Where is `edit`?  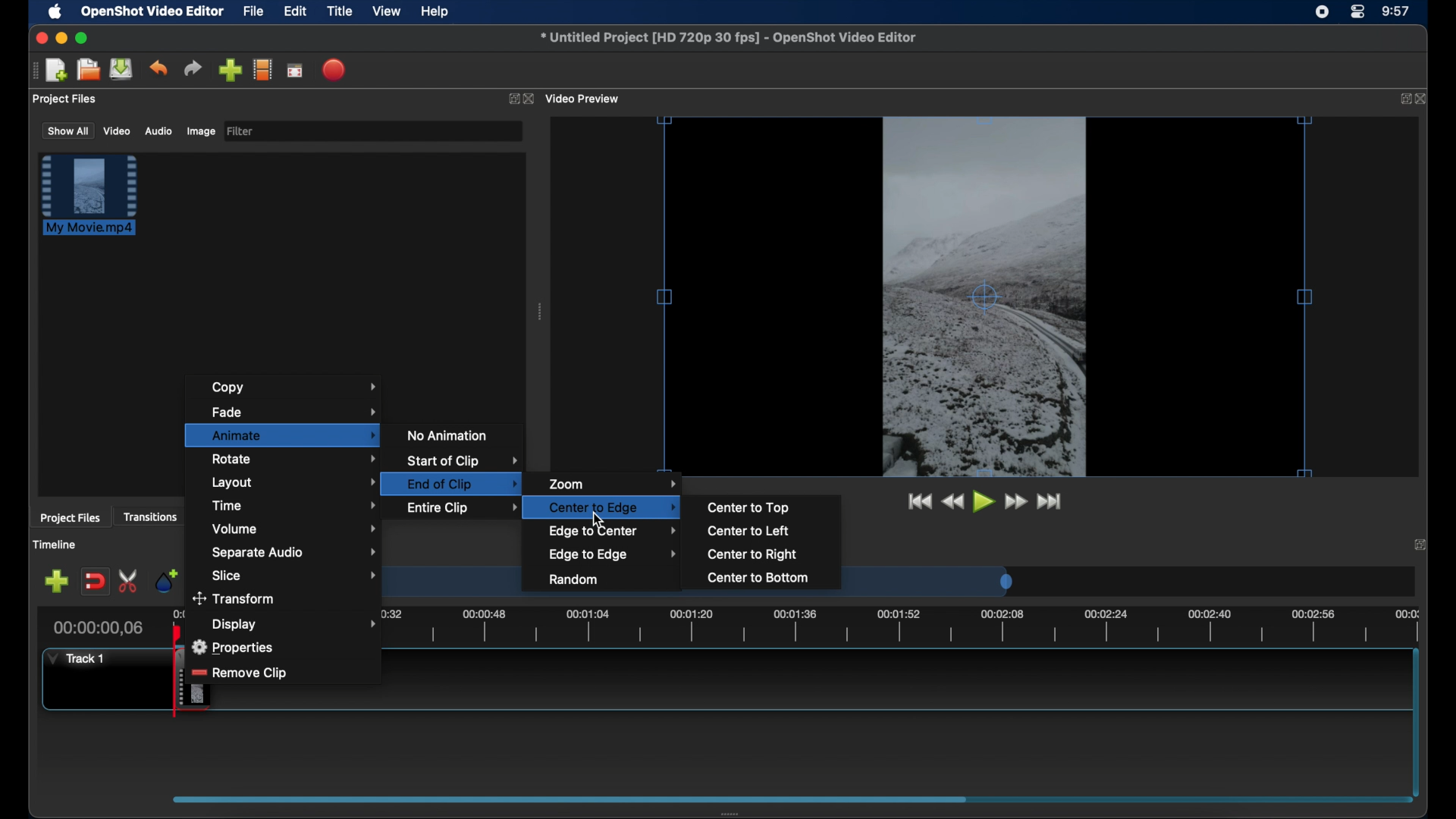
edit is located at coordinates (295, 12).